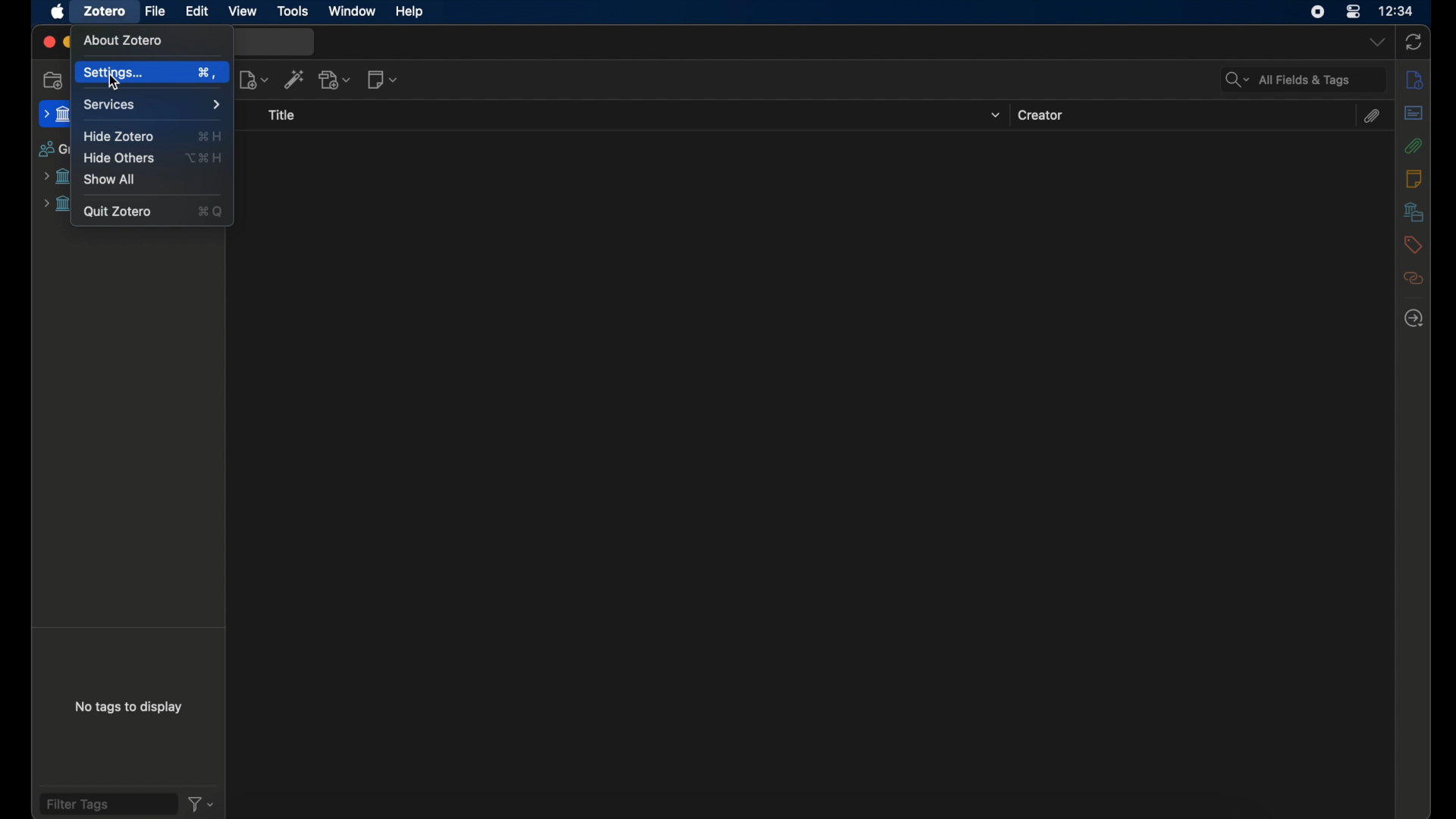 This screenshot has height=819, width=1456. I want to click on creator, so click(1043, 115).